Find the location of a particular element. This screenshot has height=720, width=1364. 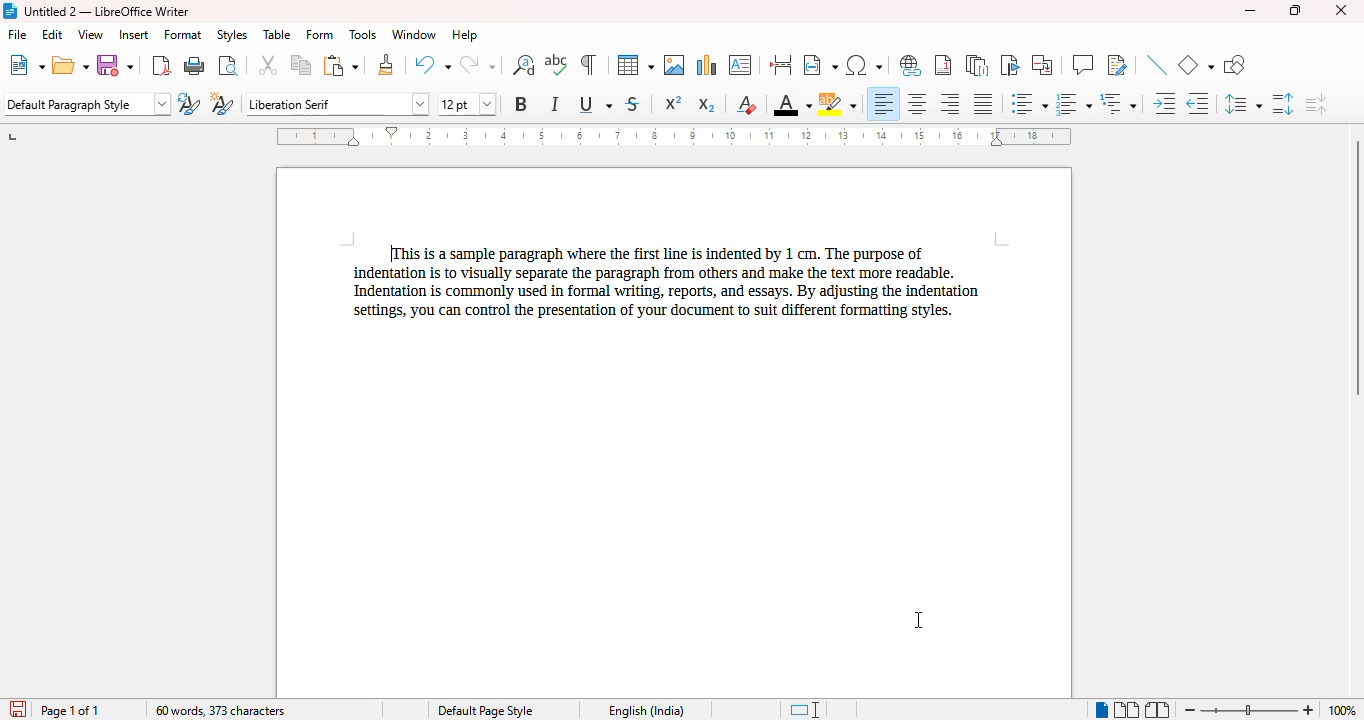

find and replace is located at coordinates (523, 64).